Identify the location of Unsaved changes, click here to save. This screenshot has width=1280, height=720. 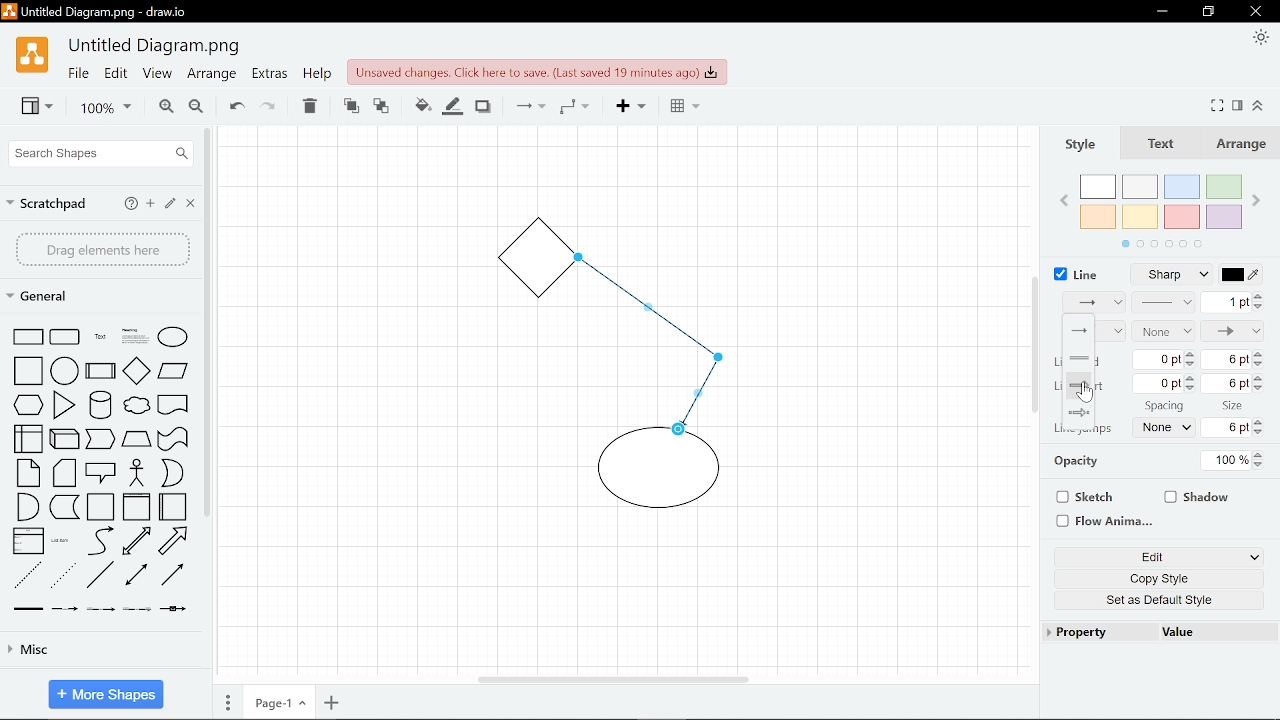
(537, 71).